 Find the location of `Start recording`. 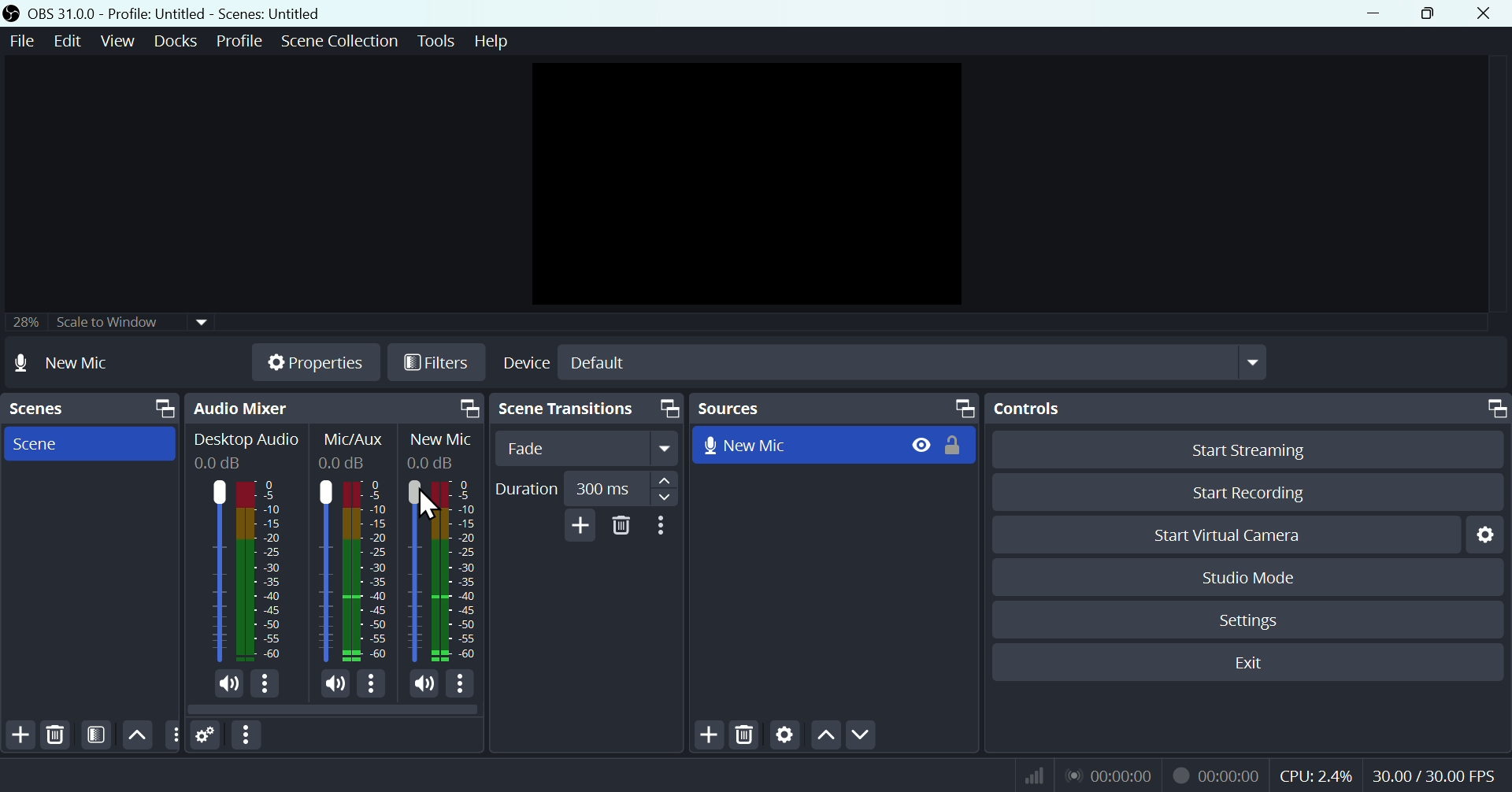

Start recording is located at coordinates (1251, 492).